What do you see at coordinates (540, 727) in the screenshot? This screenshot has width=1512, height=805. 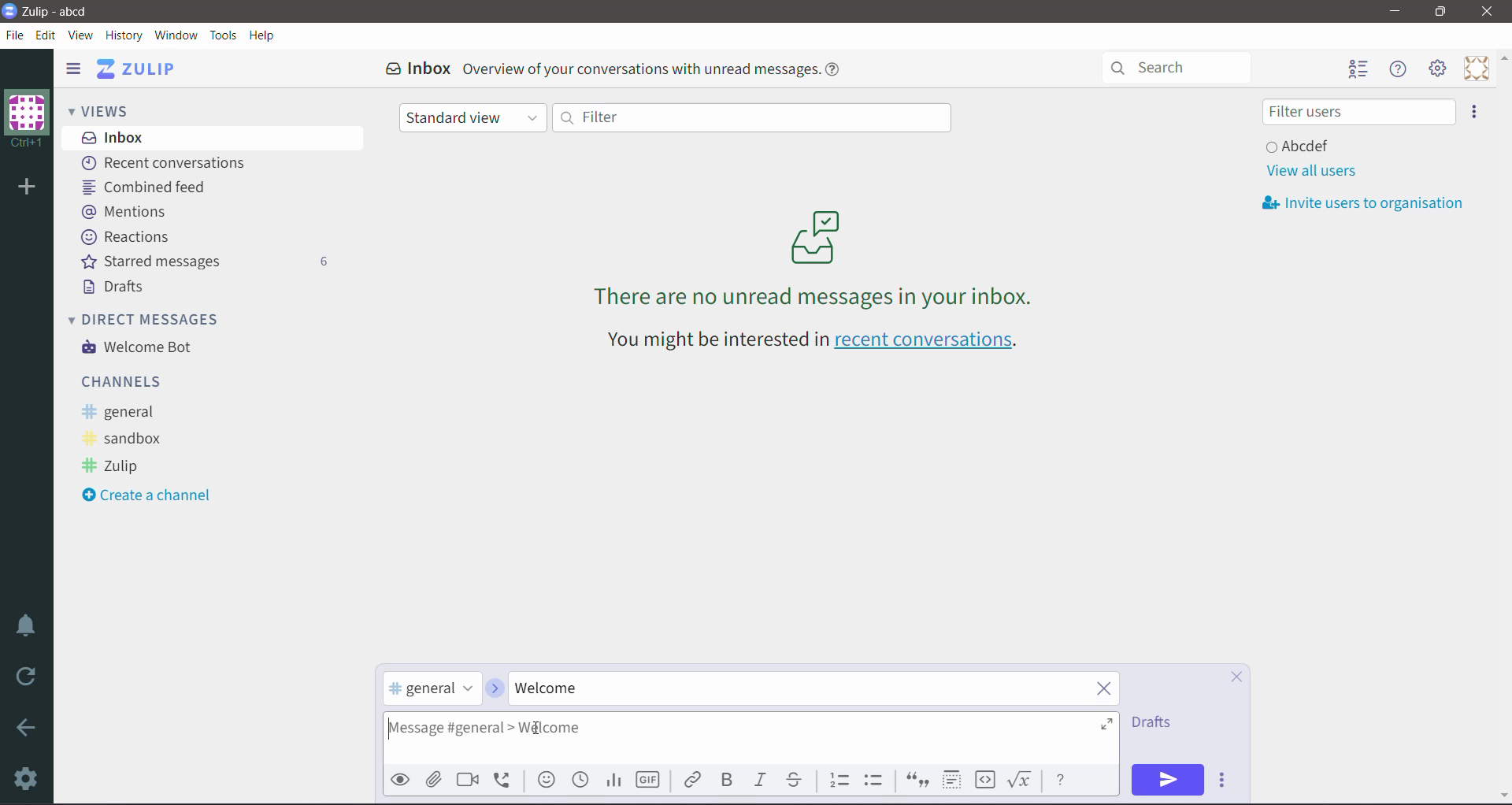 I see `Typing Cursor` at bounding box center [540, 727].